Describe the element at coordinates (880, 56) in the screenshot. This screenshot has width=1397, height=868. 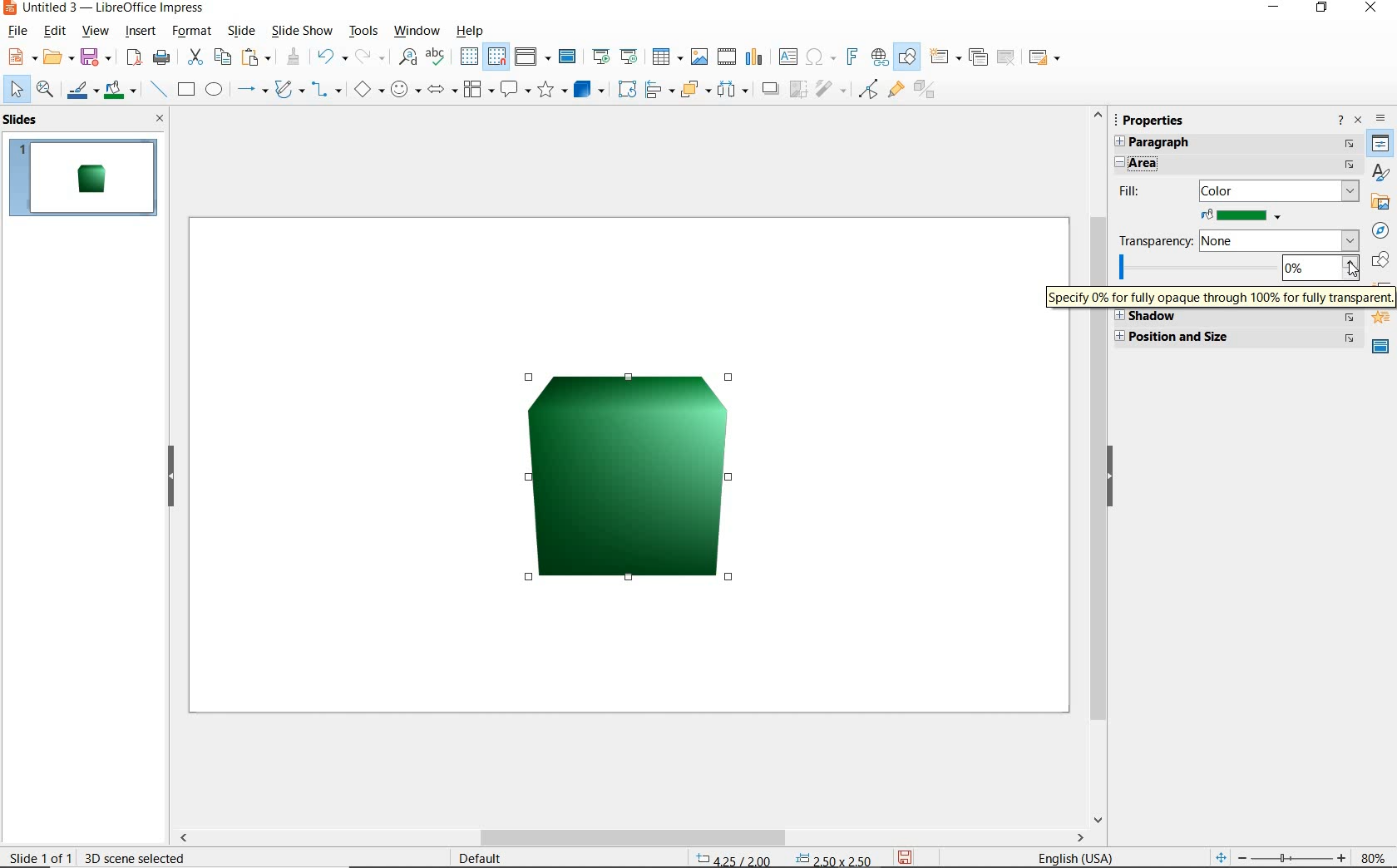
I see `insert hyperlink` at that location.